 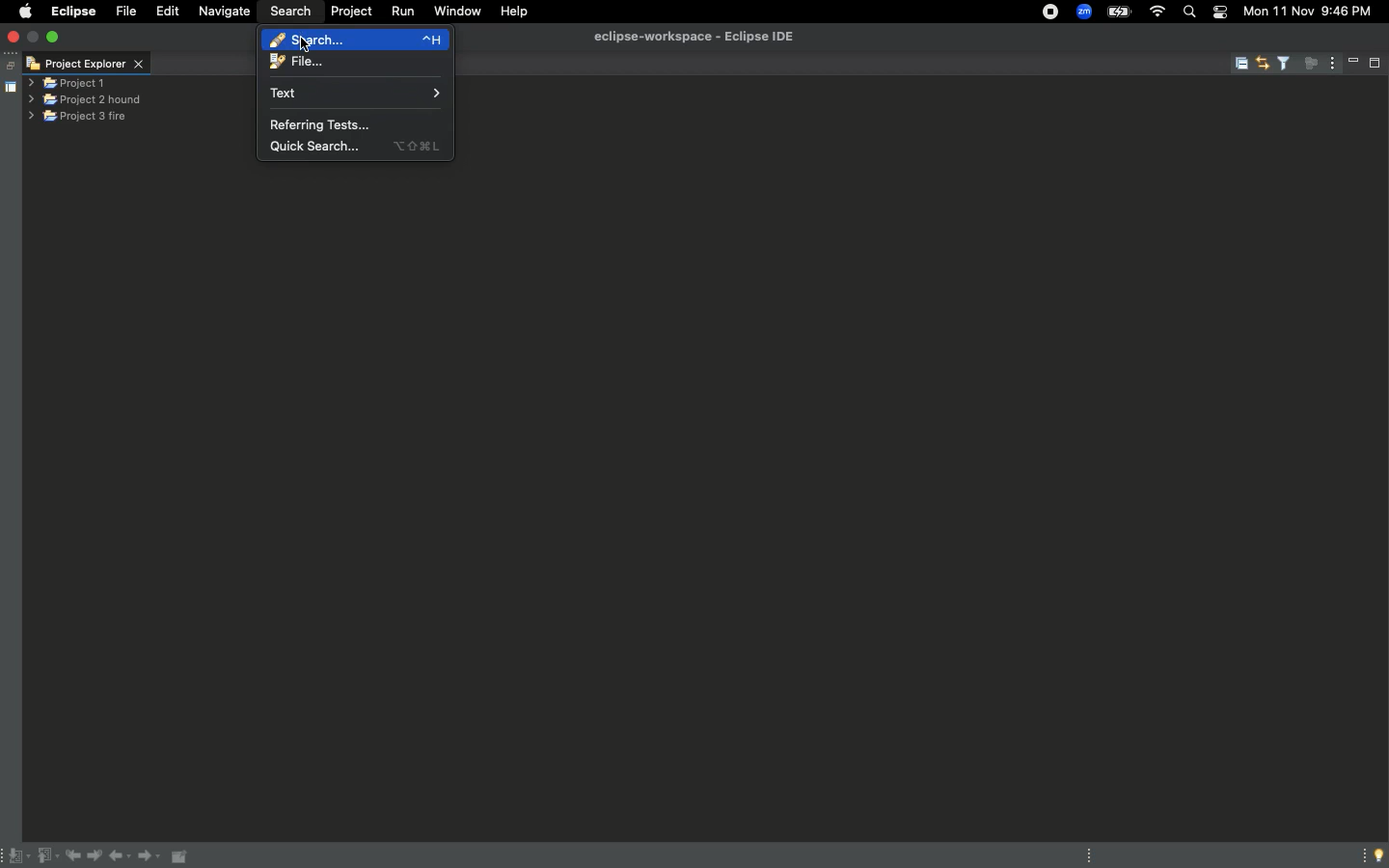 I want to click on Next edit location, so click(x=96, y=856).